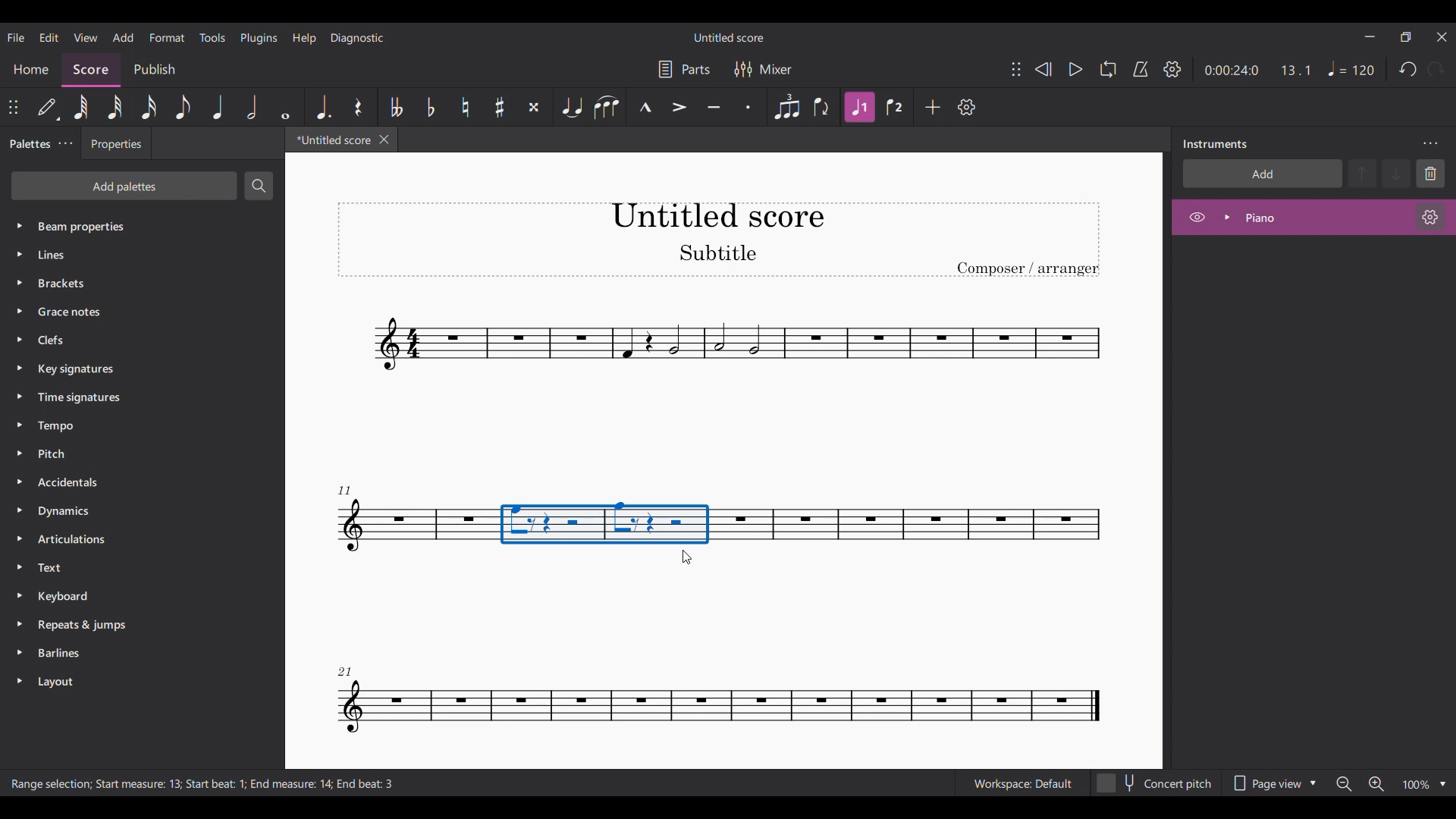 The image size is (1456, 819). What do you see at coordinates (1276, 779) in the screenshot?
I see `Page view options` at bounding box center [1276, 779].